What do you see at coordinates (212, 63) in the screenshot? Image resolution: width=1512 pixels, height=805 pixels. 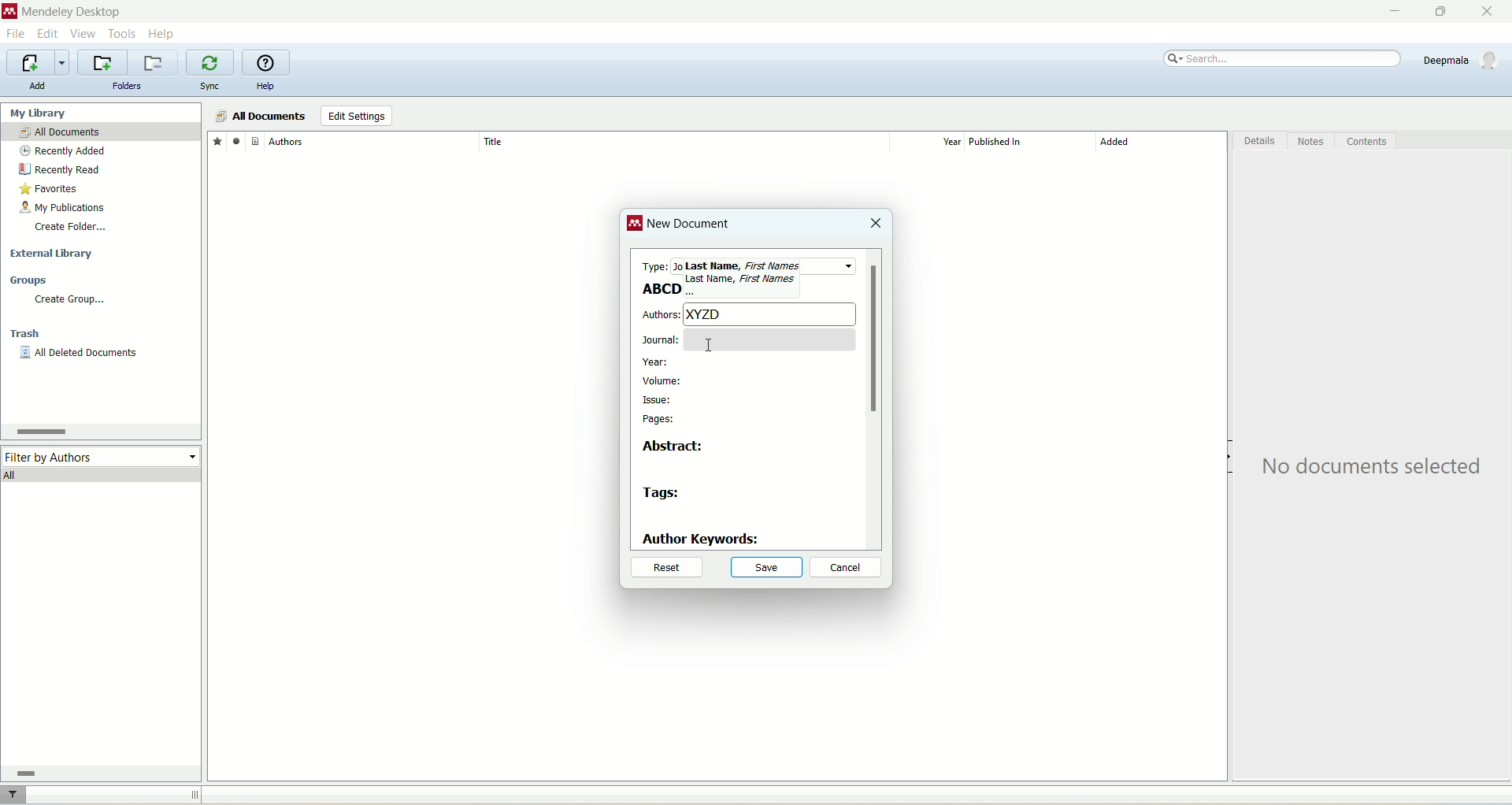 I see `synchronize library with mendeley web` at bounding box center [212, 63].